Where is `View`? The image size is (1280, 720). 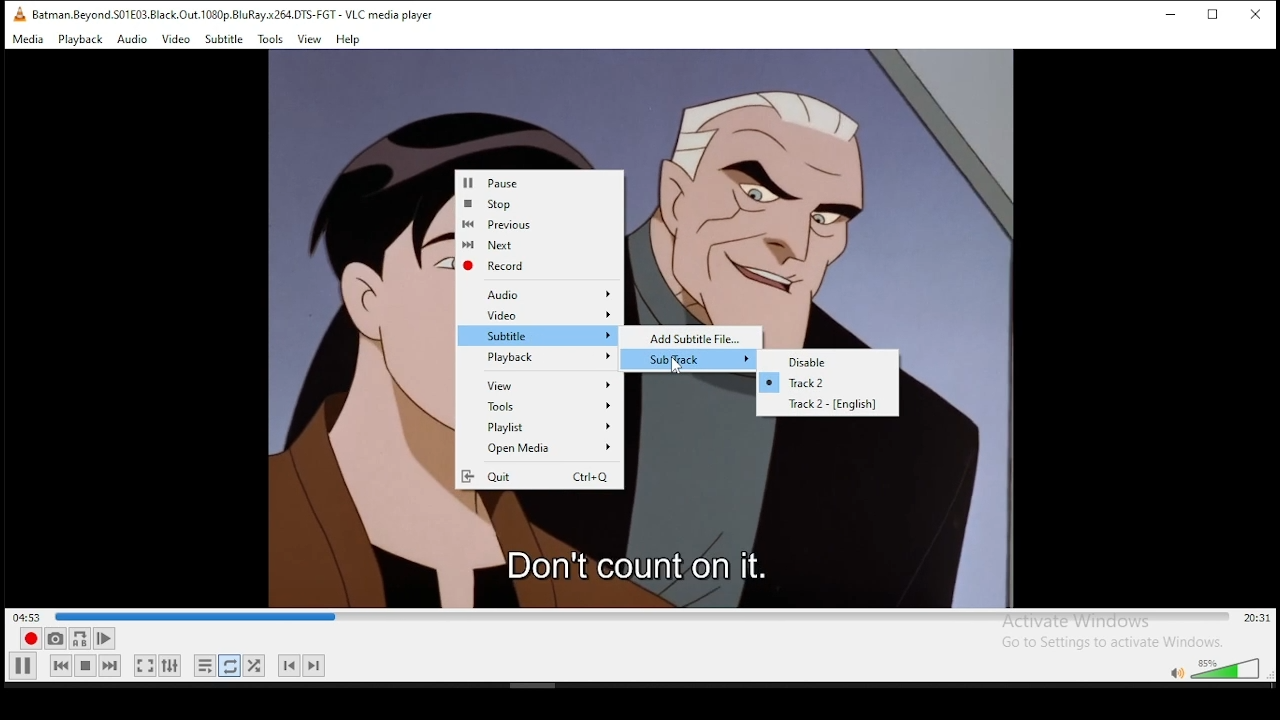
View is located at coordinates (311, 40).